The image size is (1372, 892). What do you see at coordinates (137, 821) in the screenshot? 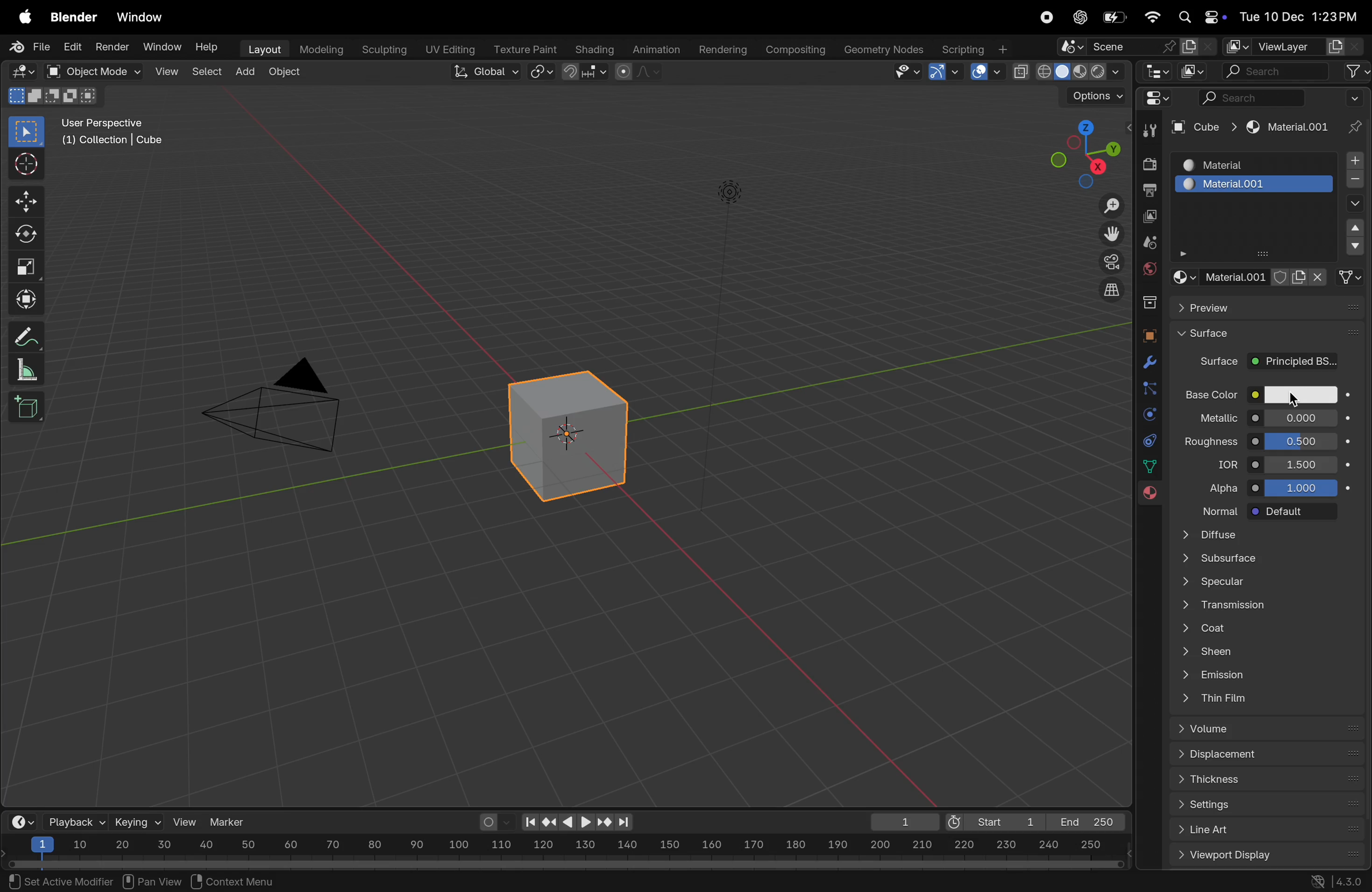
I see `keying` at bounding box center [137, 821].